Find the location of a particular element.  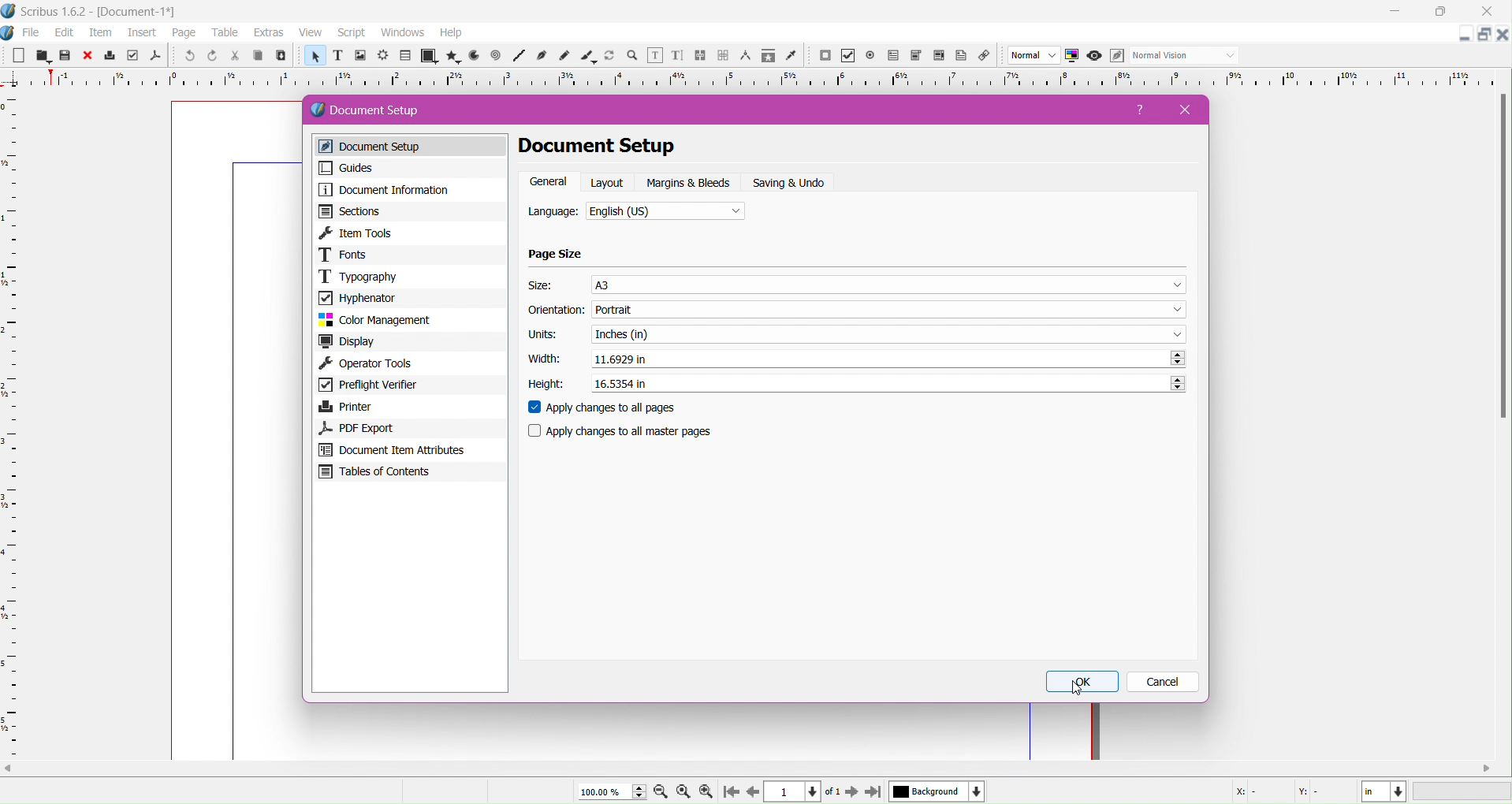

Scroll is located at coordinates (1500, 260).